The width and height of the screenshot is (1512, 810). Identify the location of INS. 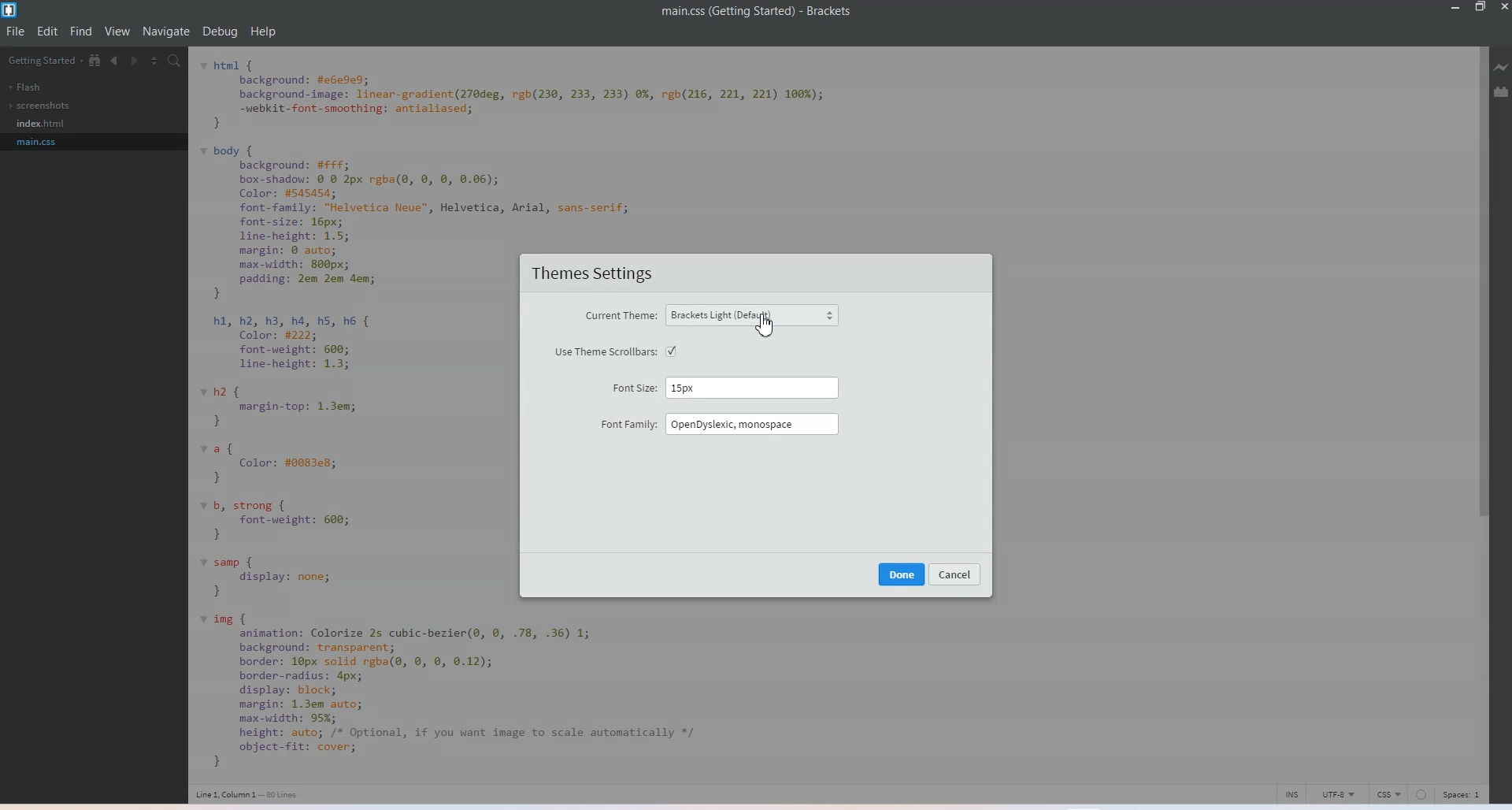
(1292, 793).